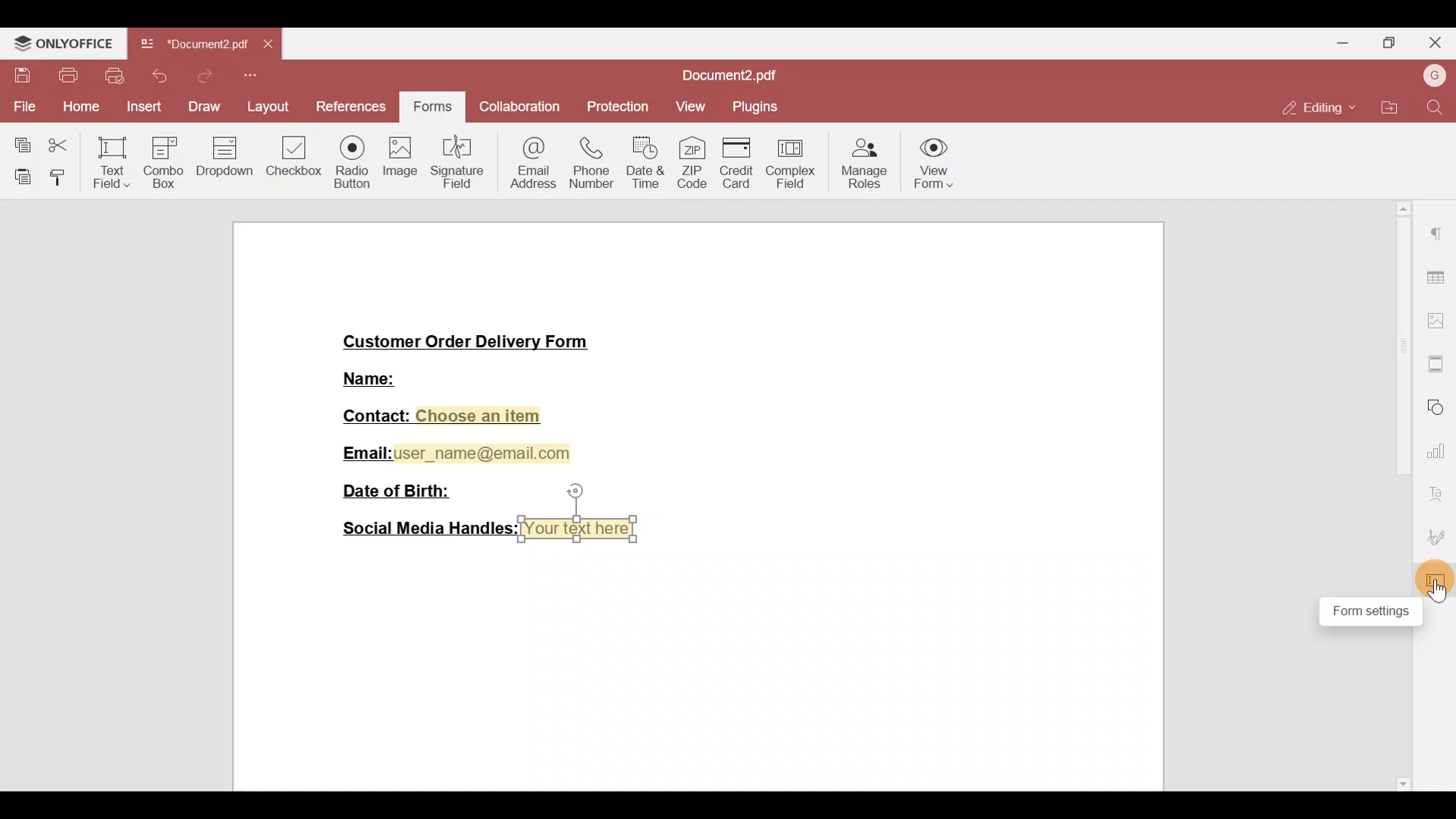  Describe the element at coordinates (271, 47) in the screenshot. I see `Close tab` at that location.